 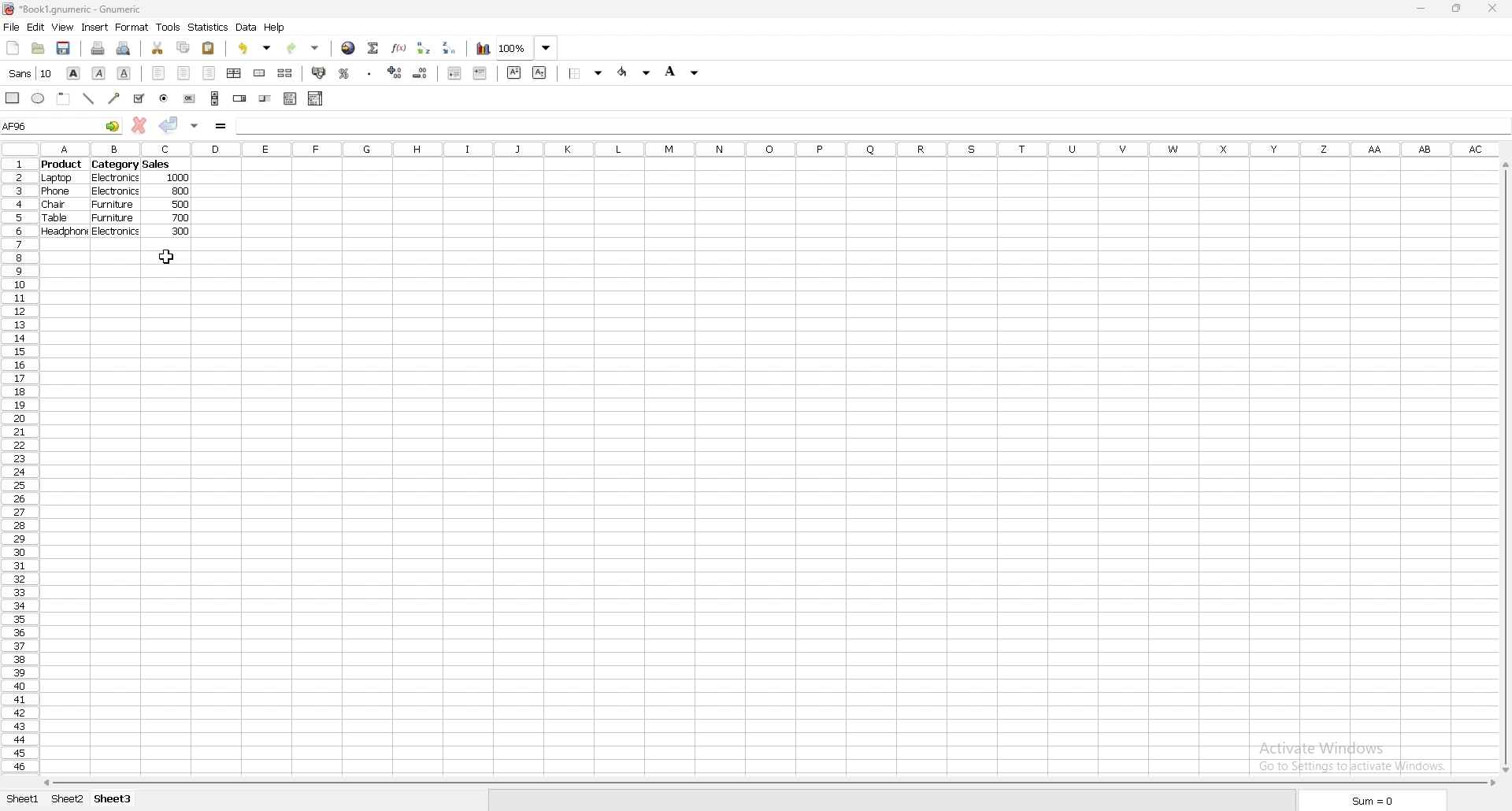 What do you see at coordinates (65, 232) in the screenshot?
I see `headphone` at bounding box center [65, 232].